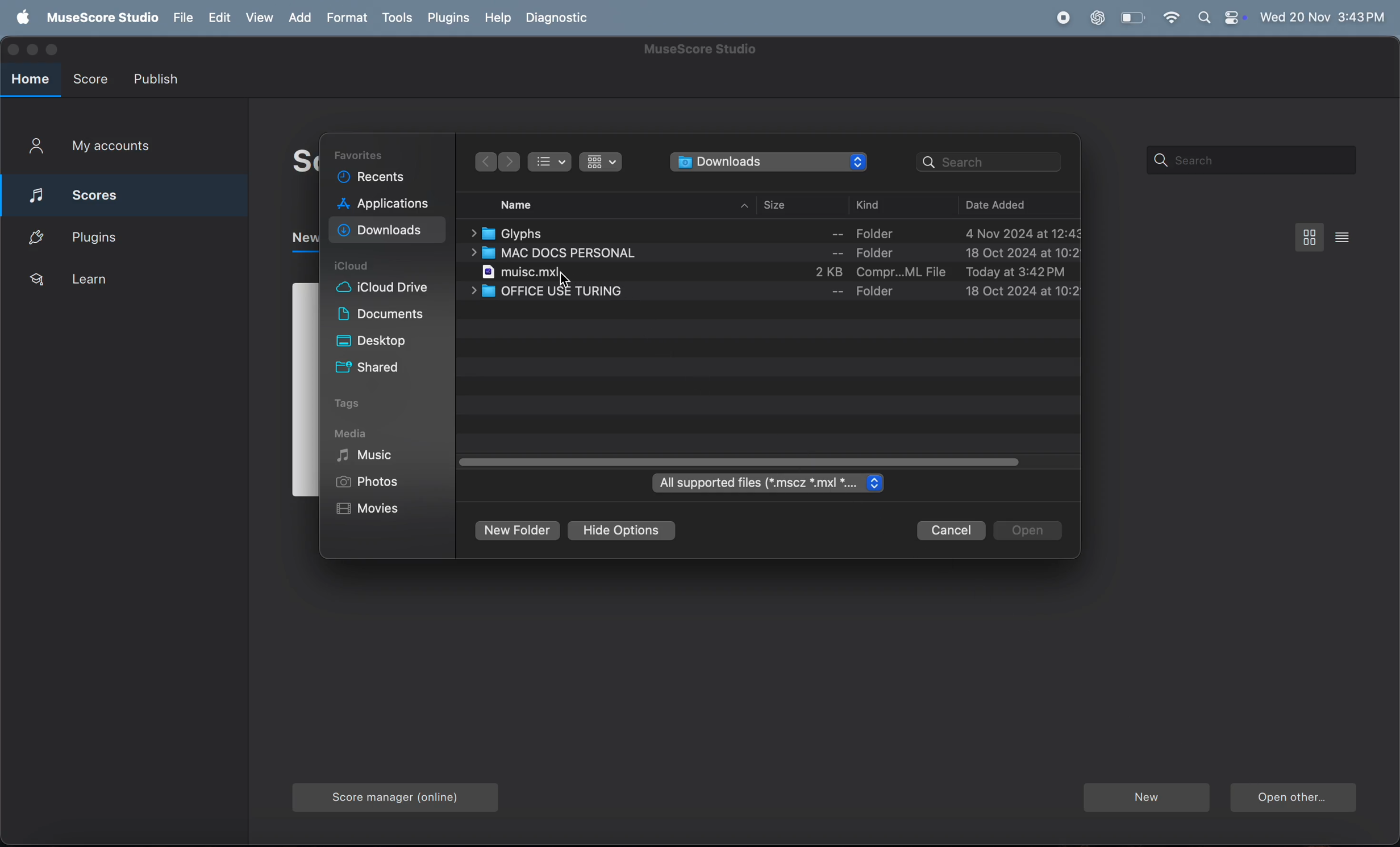 The image size is (1400, 847). Describe the element at coordinates (94, 81) in the screenshot. I see `score` at that location.